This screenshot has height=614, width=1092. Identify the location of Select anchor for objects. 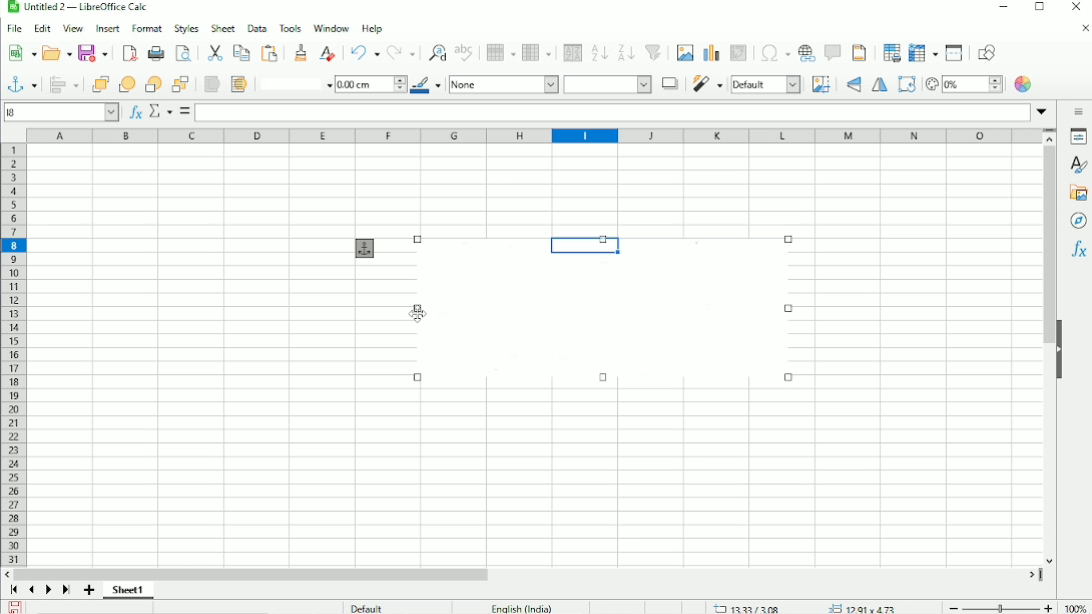
(20, 83).